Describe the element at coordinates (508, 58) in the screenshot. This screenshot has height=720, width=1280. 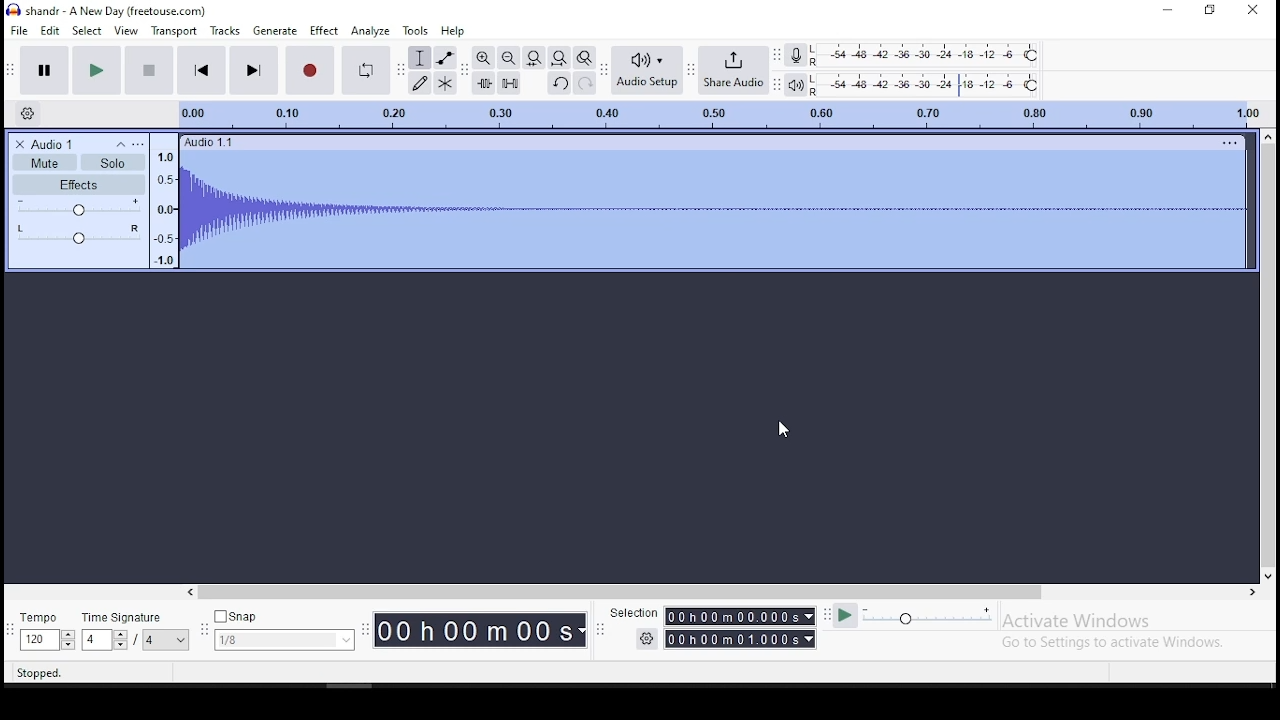
I see `zoom out` at that location.